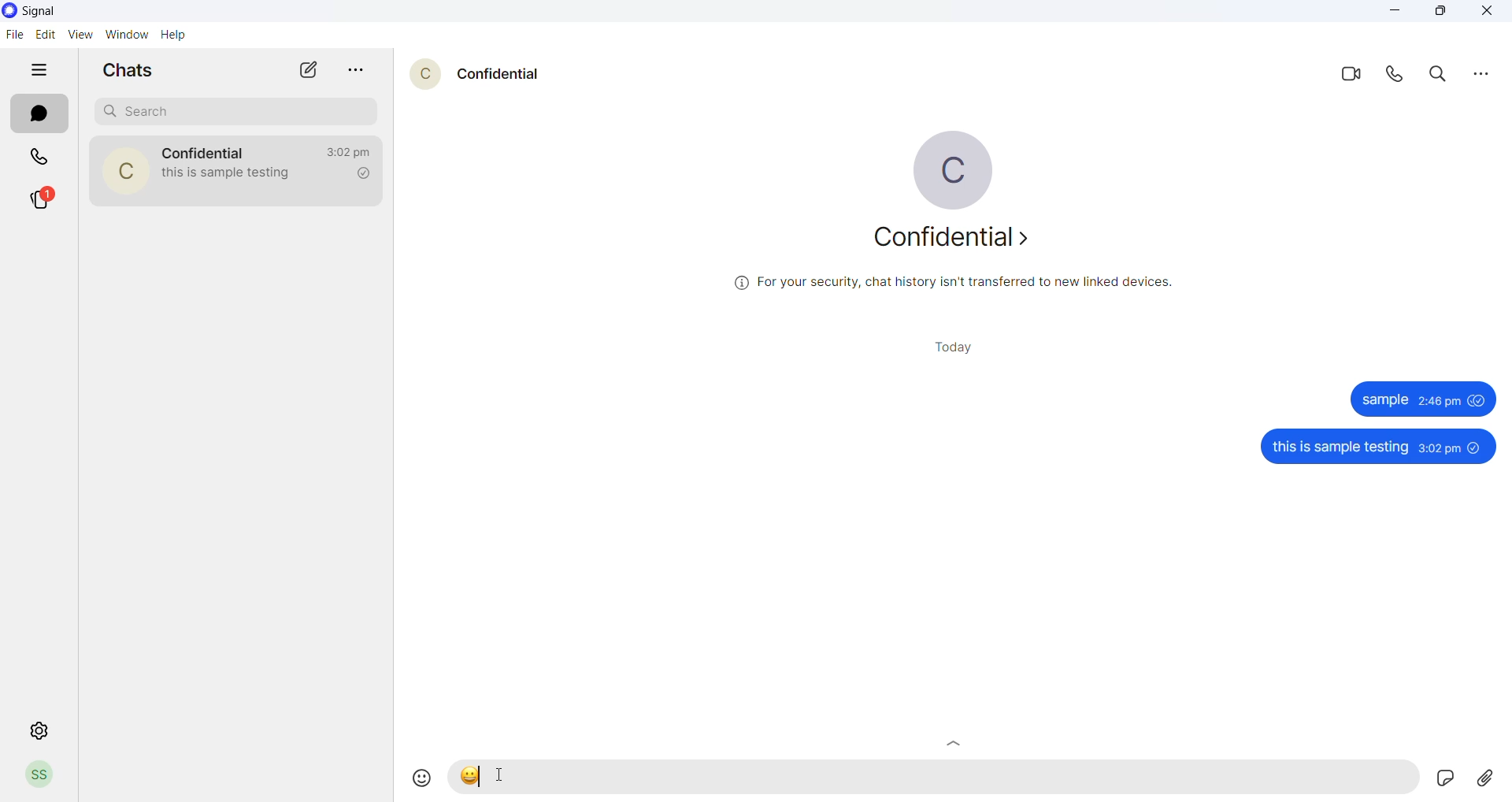 Image resolution: width=1512 pixels, height=802 pixels. What do you see at coordinates (37, 158) in the screenshot?
I see `calls` at bounding box center [37, 158].